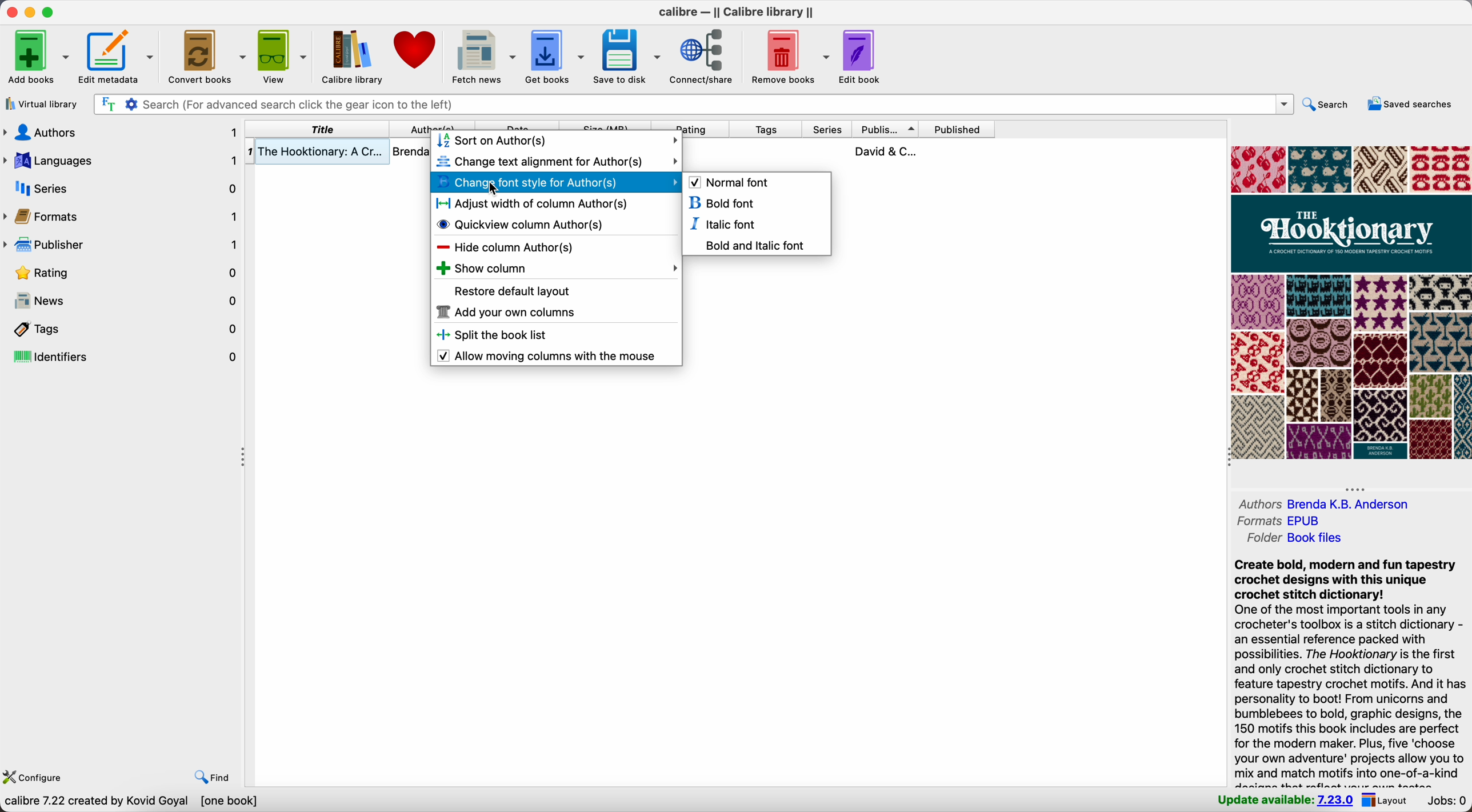 This screenshot has width=1472, height=812. I want to click on adjust width of column author(s), so click(532, 203).